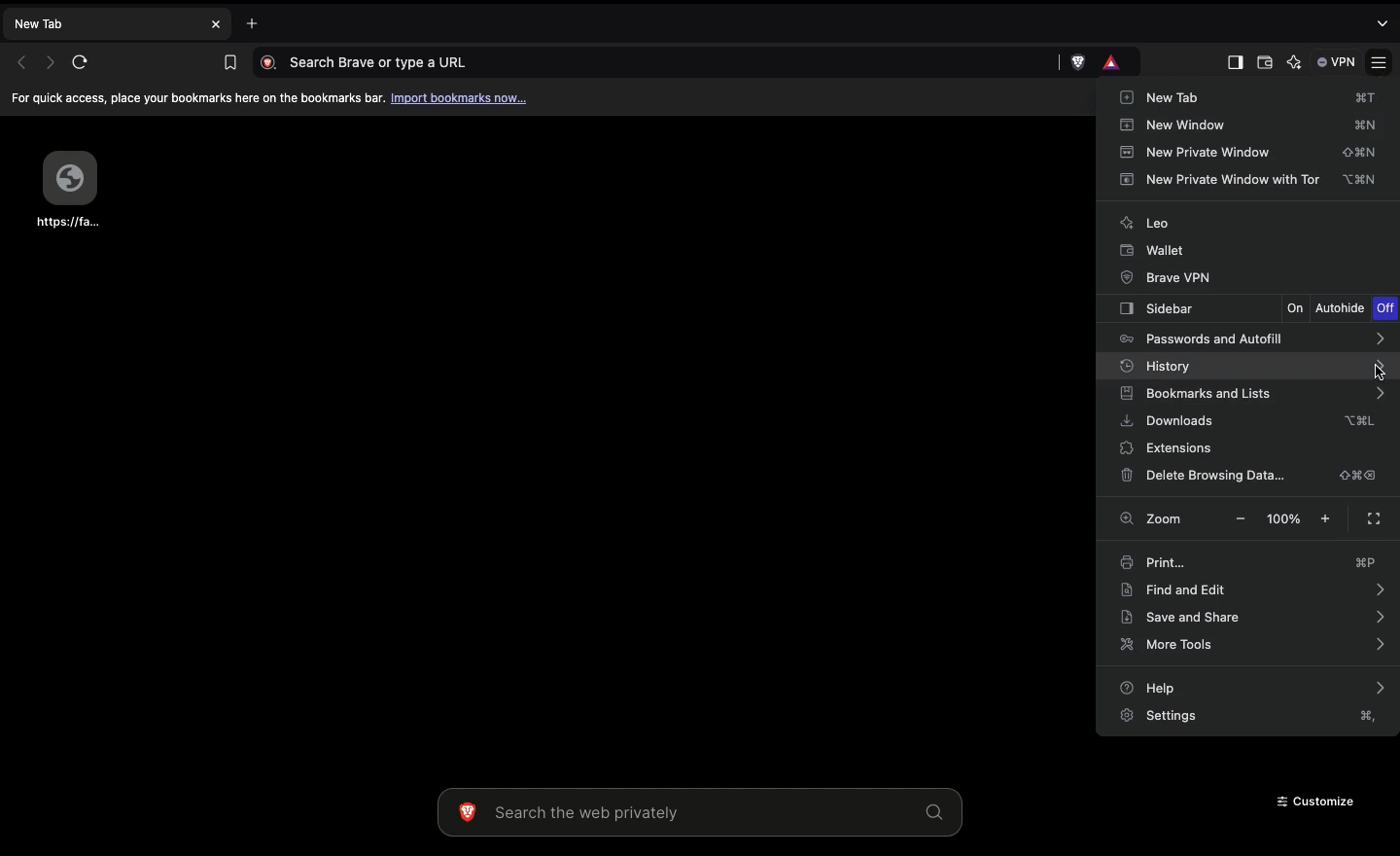 This screenshot has height=856, width=1400. I want to click on Customize, so click(1312, 804).